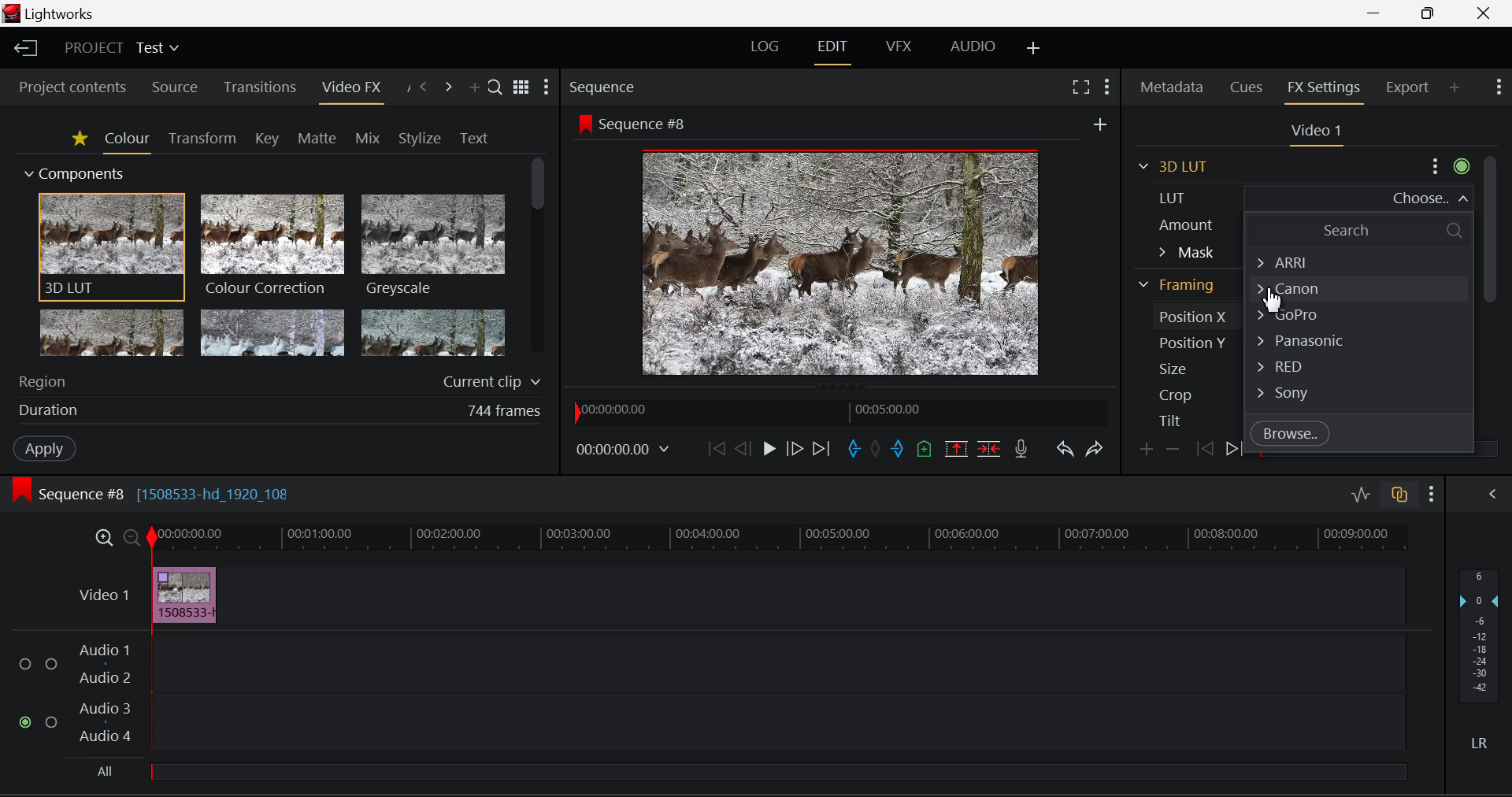 The image size is (1512, 797). What do you see at coordinates (535, 259) in the screenshot?
I see `Scroll Bar` at bounding box center [535, 259].